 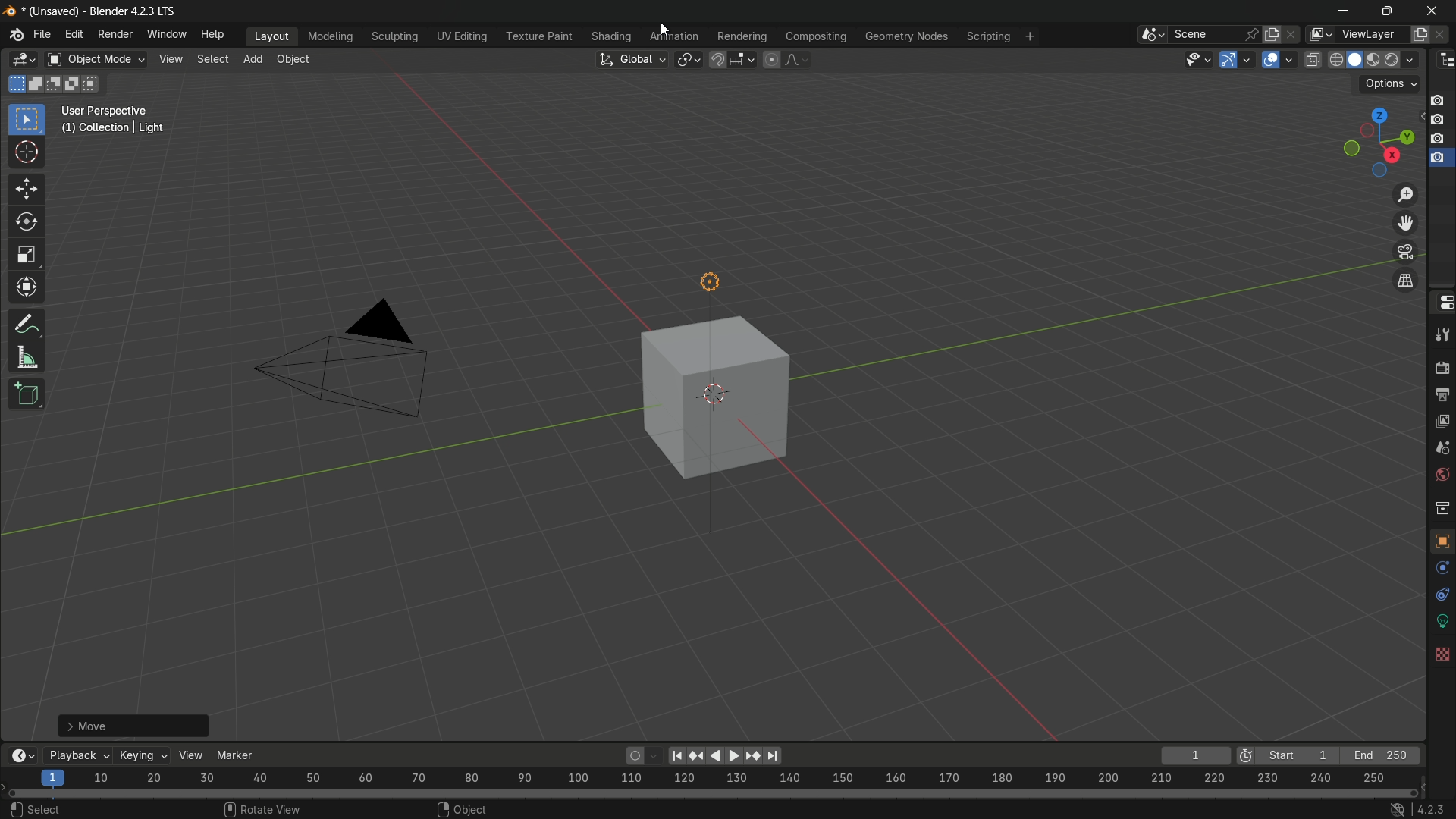 What do you see at coordinates (676, 755) in the screenshot?
I see `jump to endpoint` at bounding box center [676, 755].